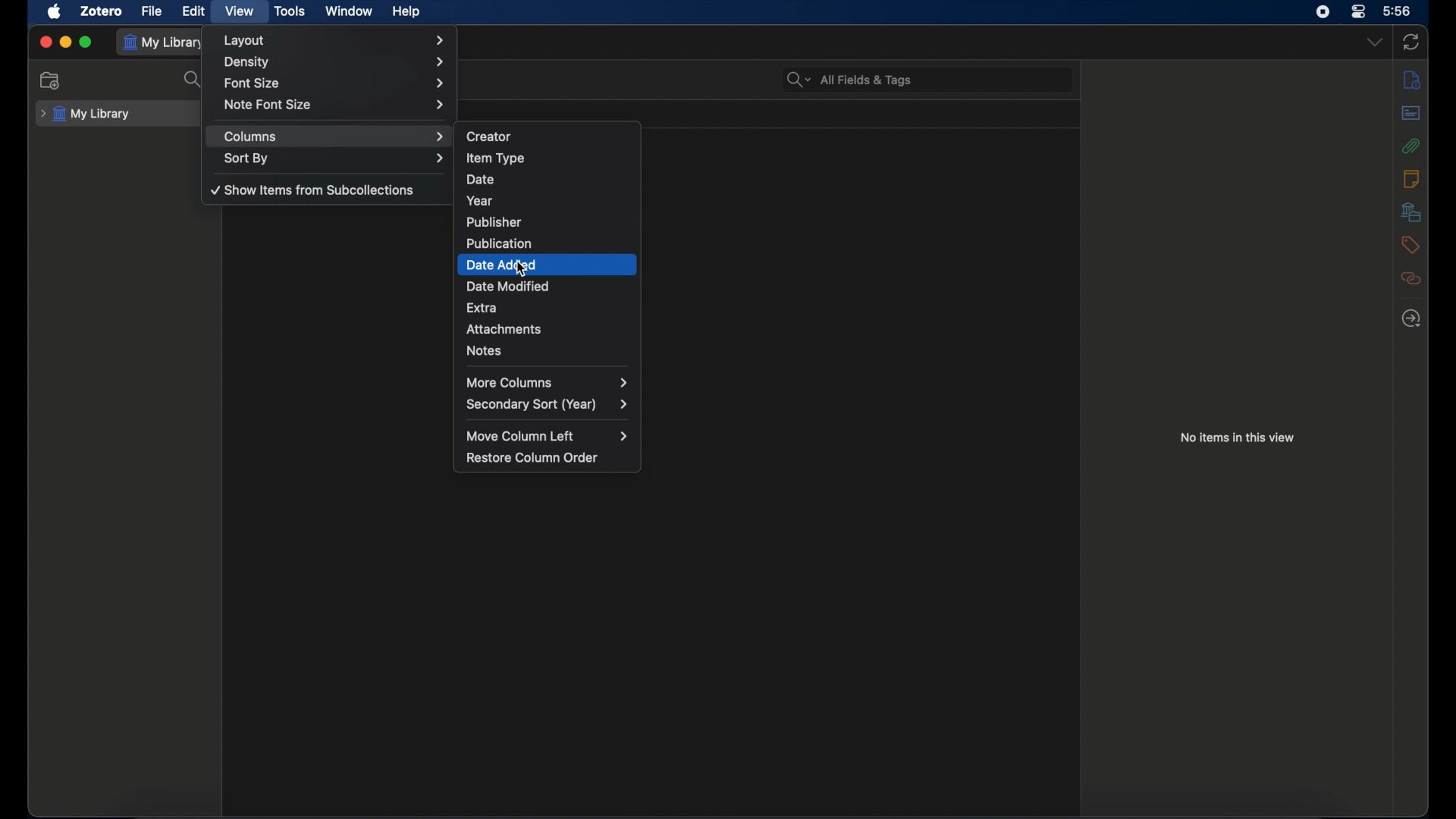 This screenshot has width=1456, height=819. What do you see at coordinates (51, 81) in the screenshot?
I see `new collection` at bounding box center [51, 81].